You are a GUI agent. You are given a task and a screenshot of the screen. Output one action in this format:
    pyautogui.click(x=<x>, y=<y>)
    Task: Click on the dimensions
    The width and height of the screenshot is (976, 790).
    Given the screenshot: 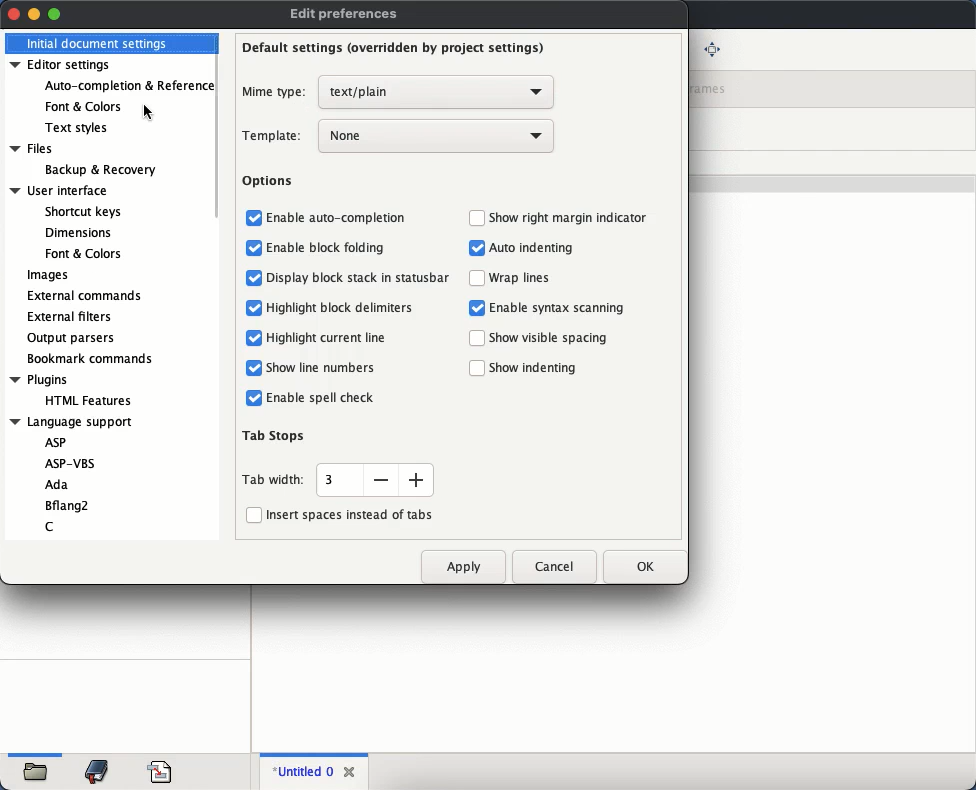 What is the action you would take?
    pyautogui.click(x=78, y=232)
    